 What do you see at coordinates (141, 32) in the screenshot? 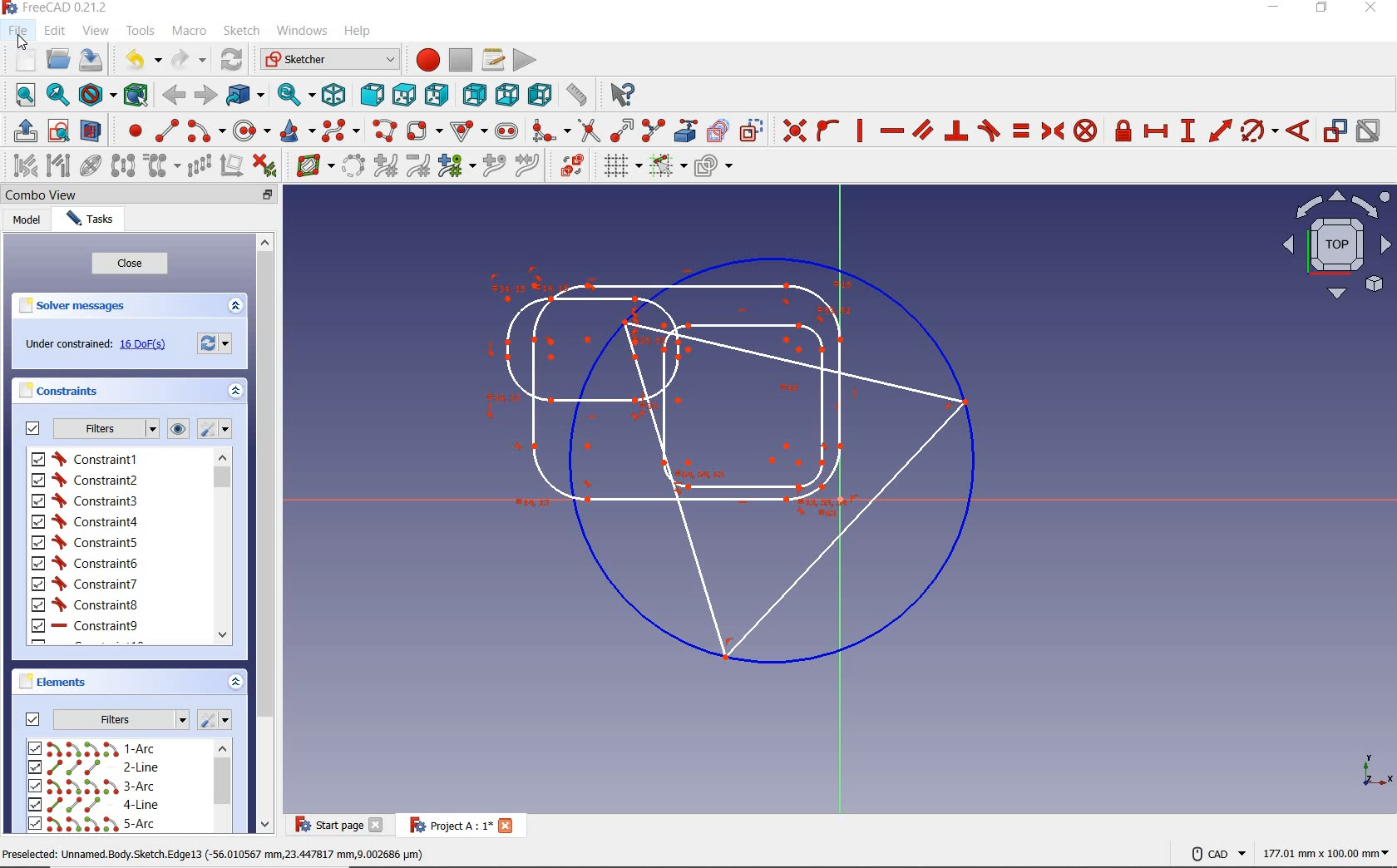
I see `tools` at bounding box center [141, 32].